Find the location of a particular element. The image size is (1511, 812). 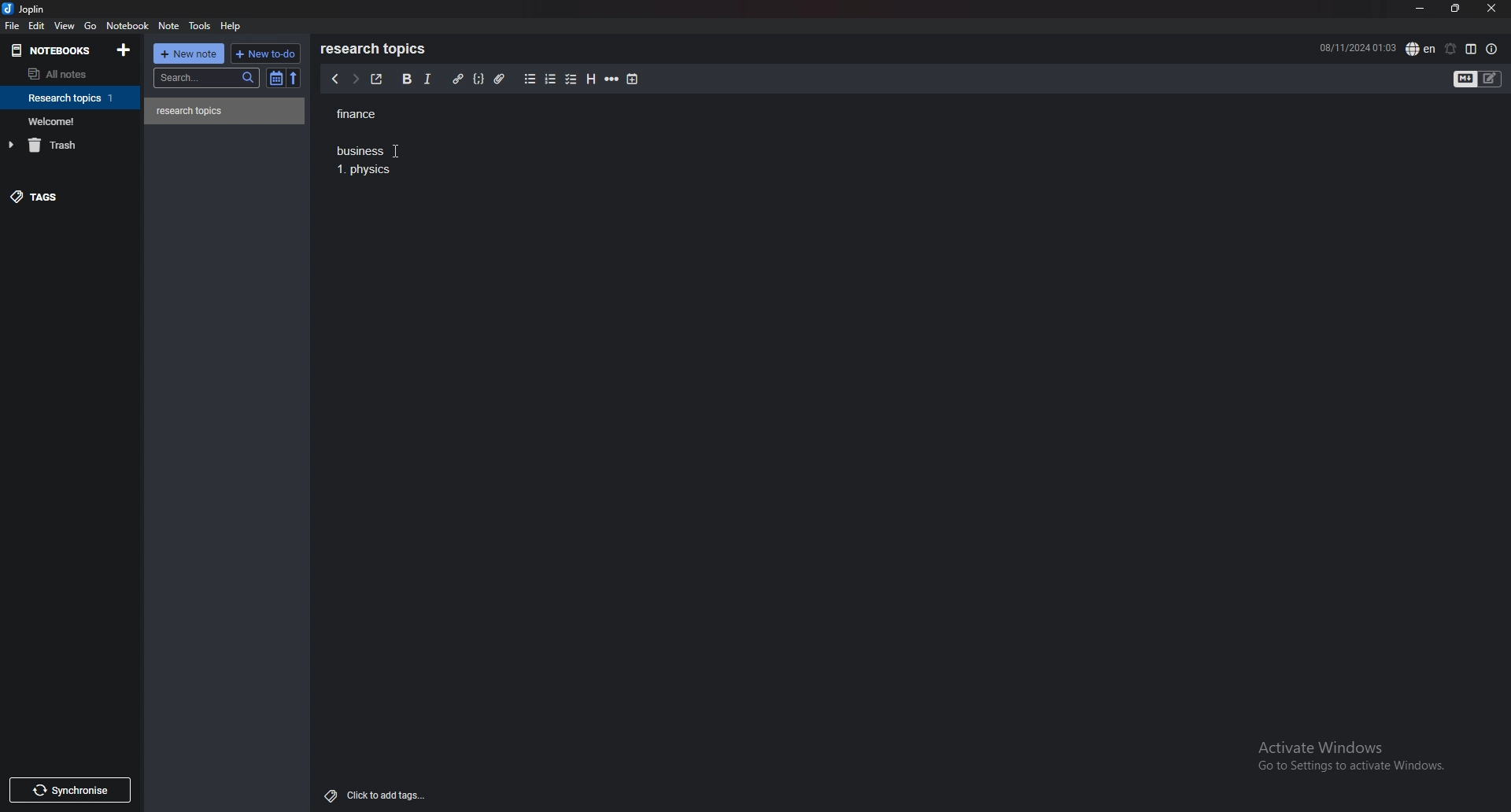

notebooks is located at coordinates (54, 50).